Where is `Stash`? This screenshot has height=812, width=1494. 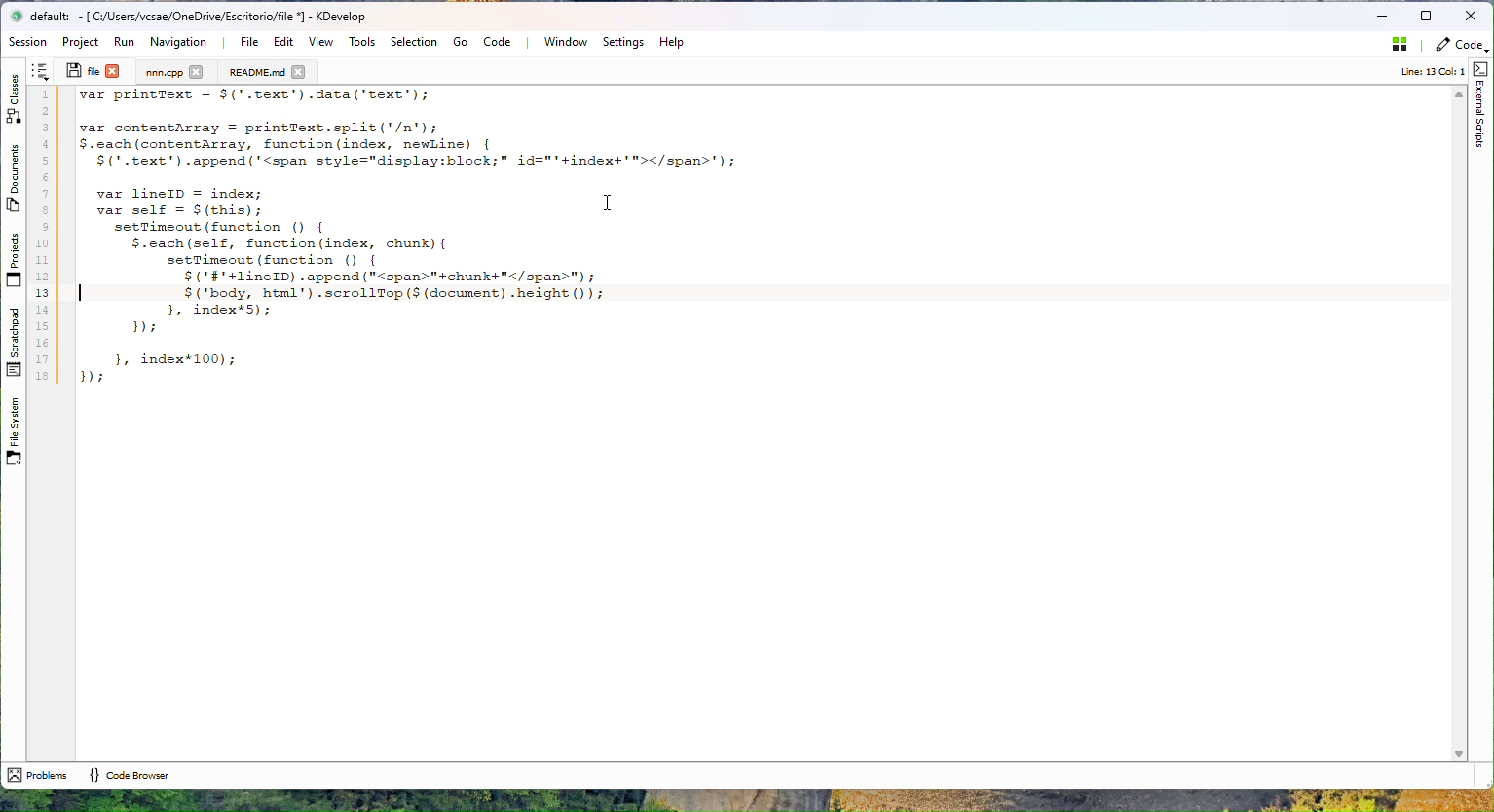 Stash is located at coordinates (1396, 48).